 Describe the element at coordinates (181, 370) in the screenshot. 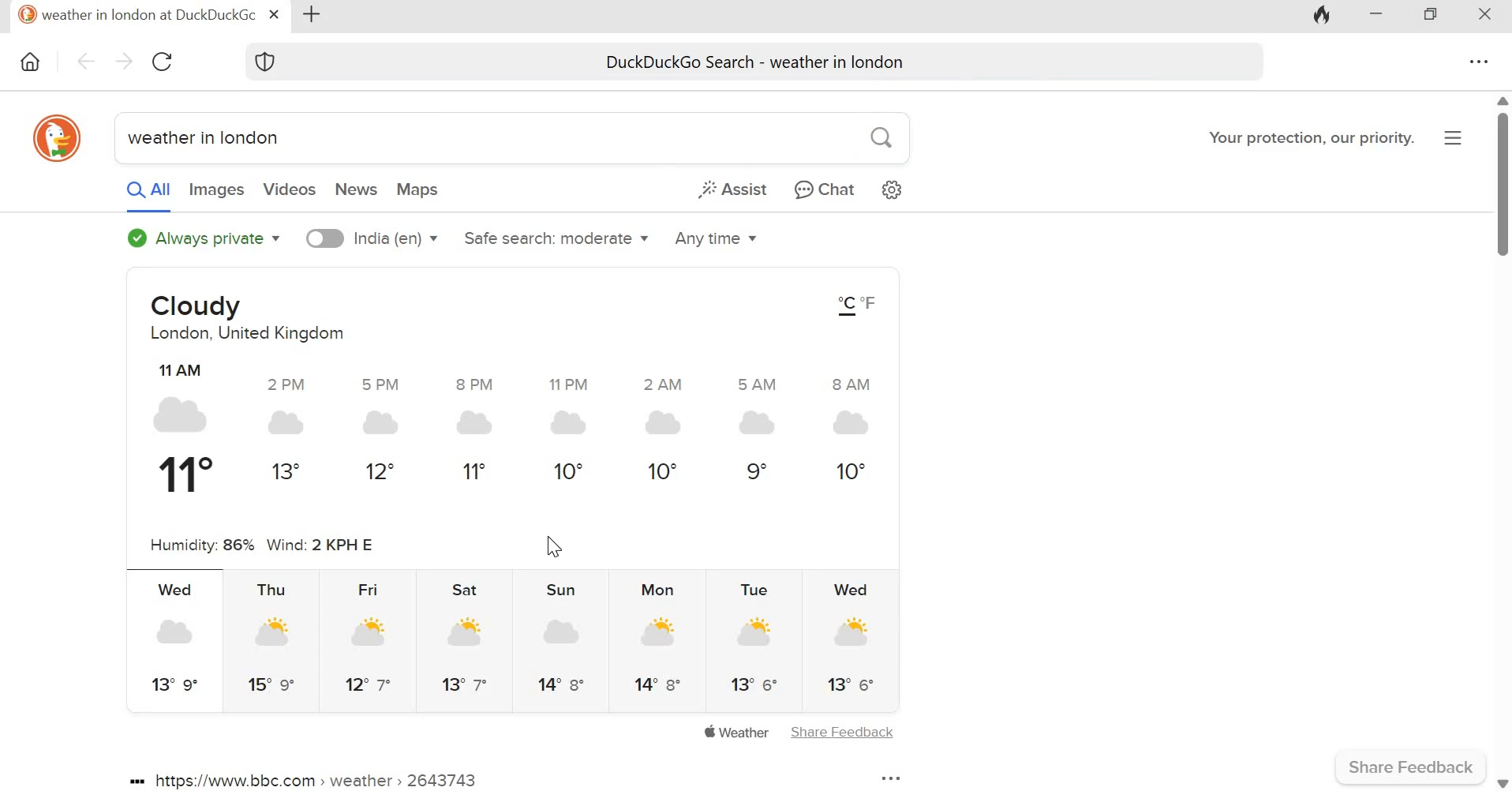

I see `11 AM` at that location.